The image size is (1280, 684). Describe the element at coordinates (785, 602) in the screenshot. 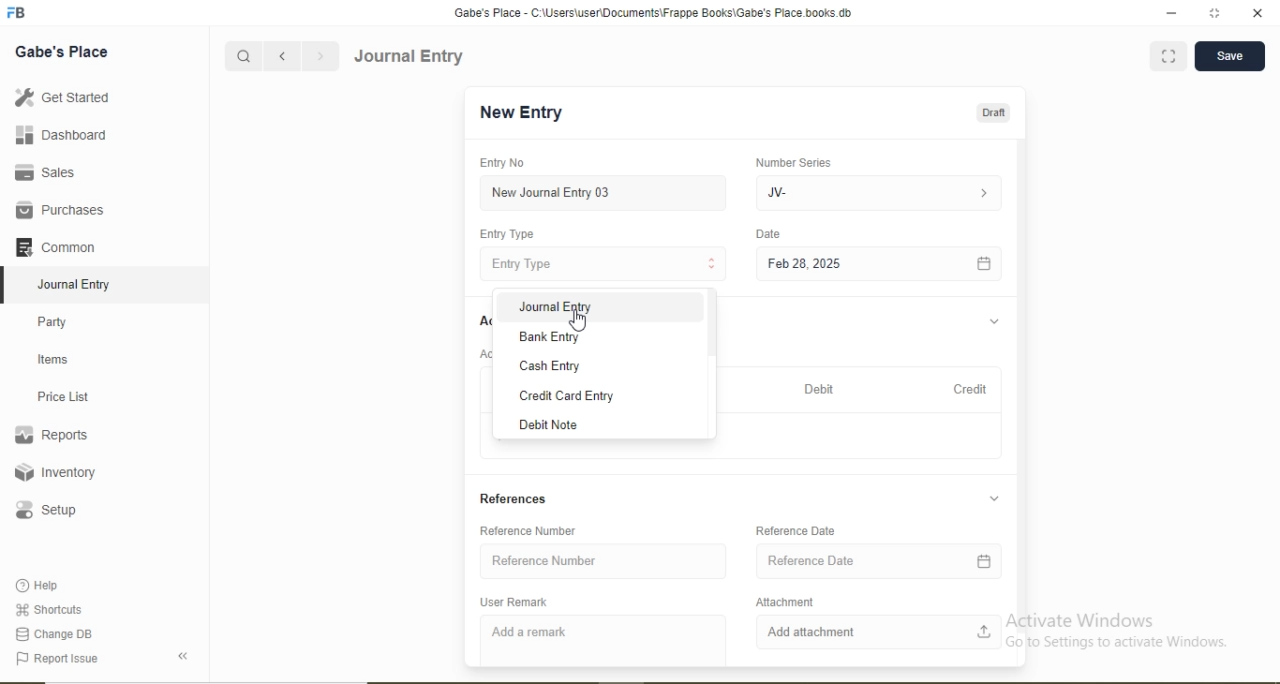

I see `Attachment` at that location.